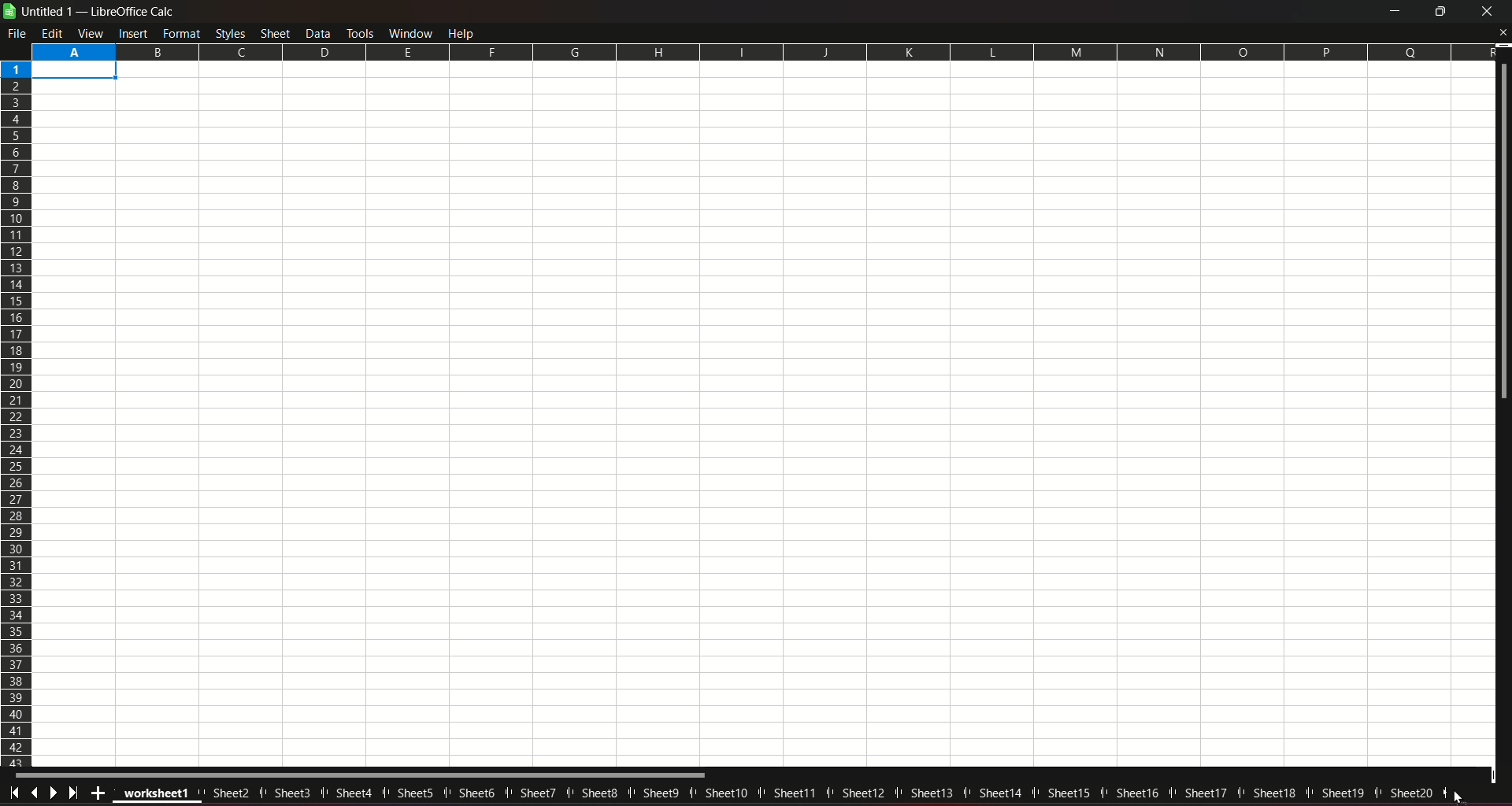 The width and height of the screenshot is (1512, 806). What do you see at coordinates (1487, 13) in the screenshot?
I see `Close` at bounding box center [1487, 13].